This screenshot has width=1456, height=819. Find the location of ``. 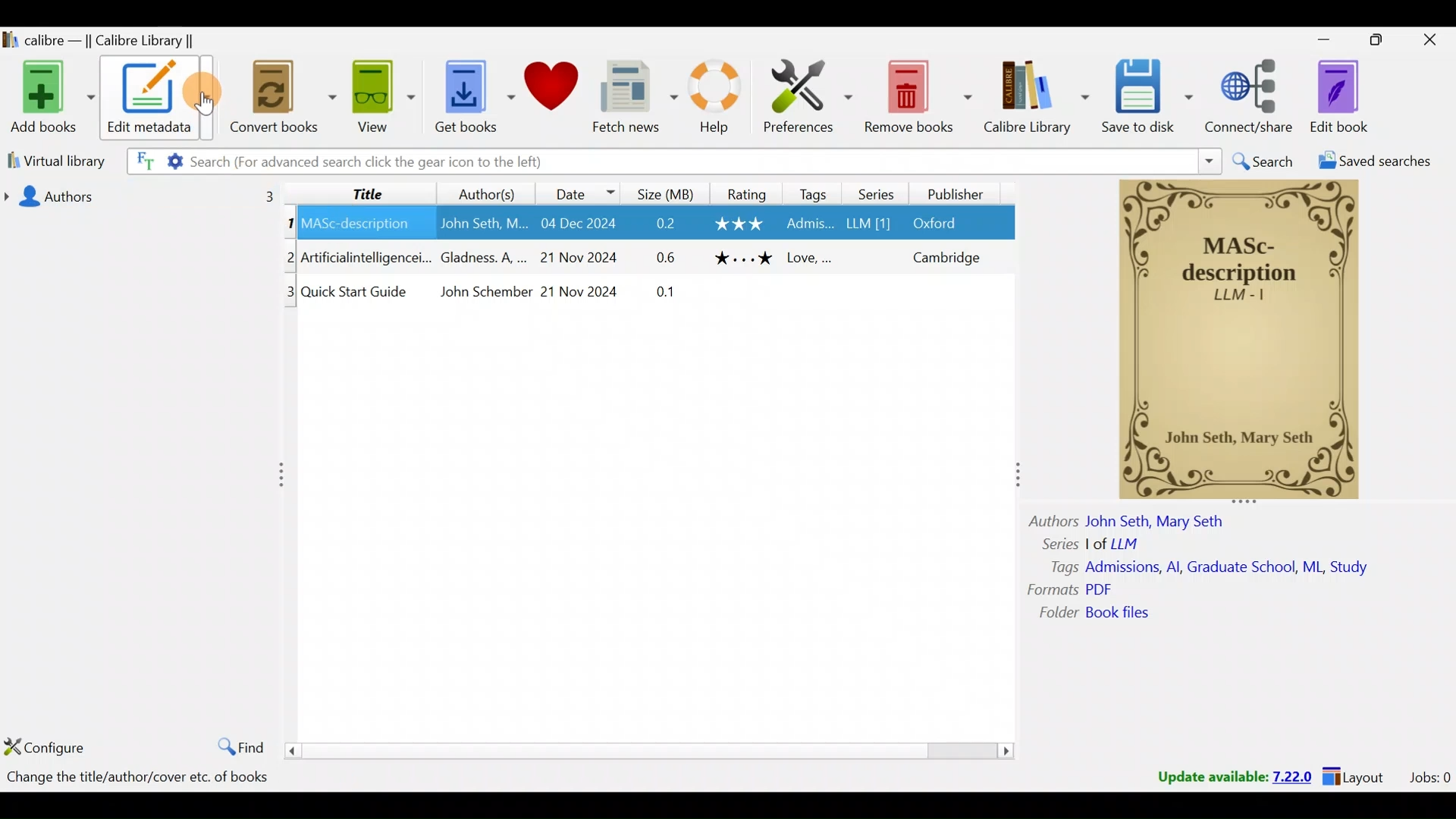

 is located at coordinates (1056, 544).